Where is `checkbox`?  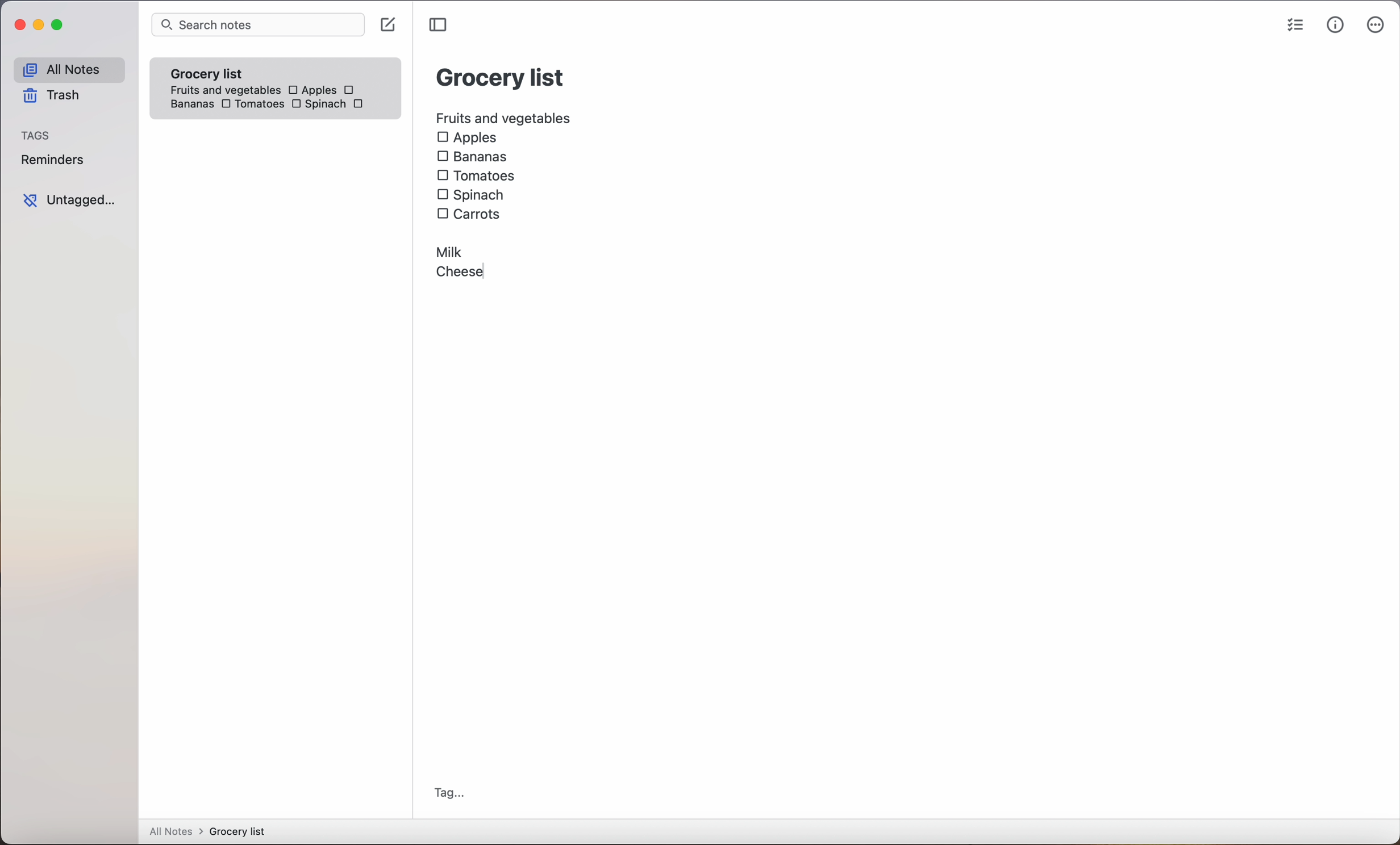 checkbox is located at coordinates (351, 90).